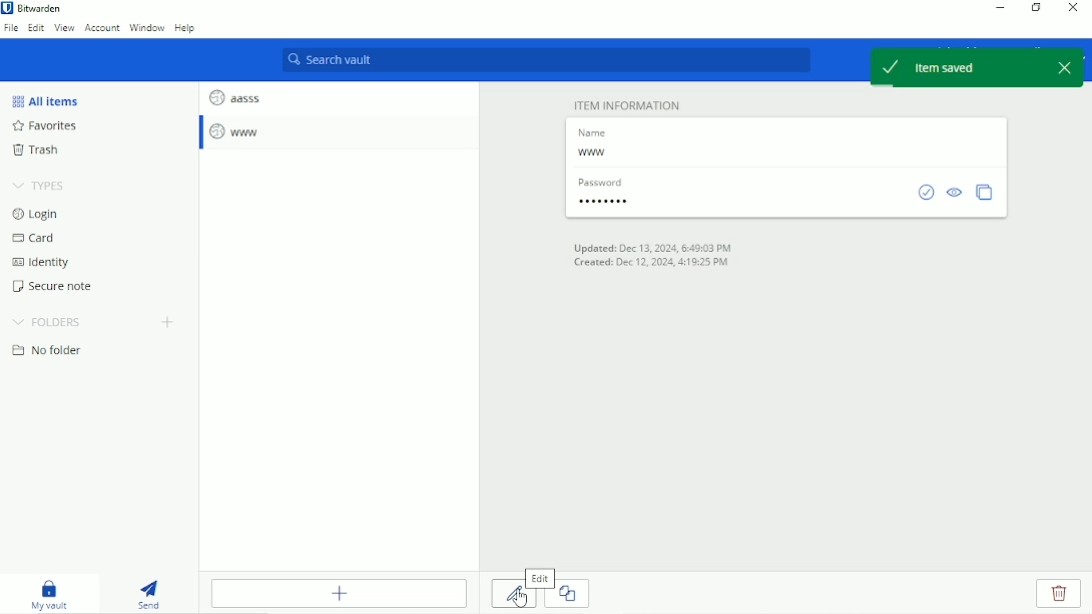  Describe the element at coordinates (594, 154) in the screenshot. I see `www` at that location.